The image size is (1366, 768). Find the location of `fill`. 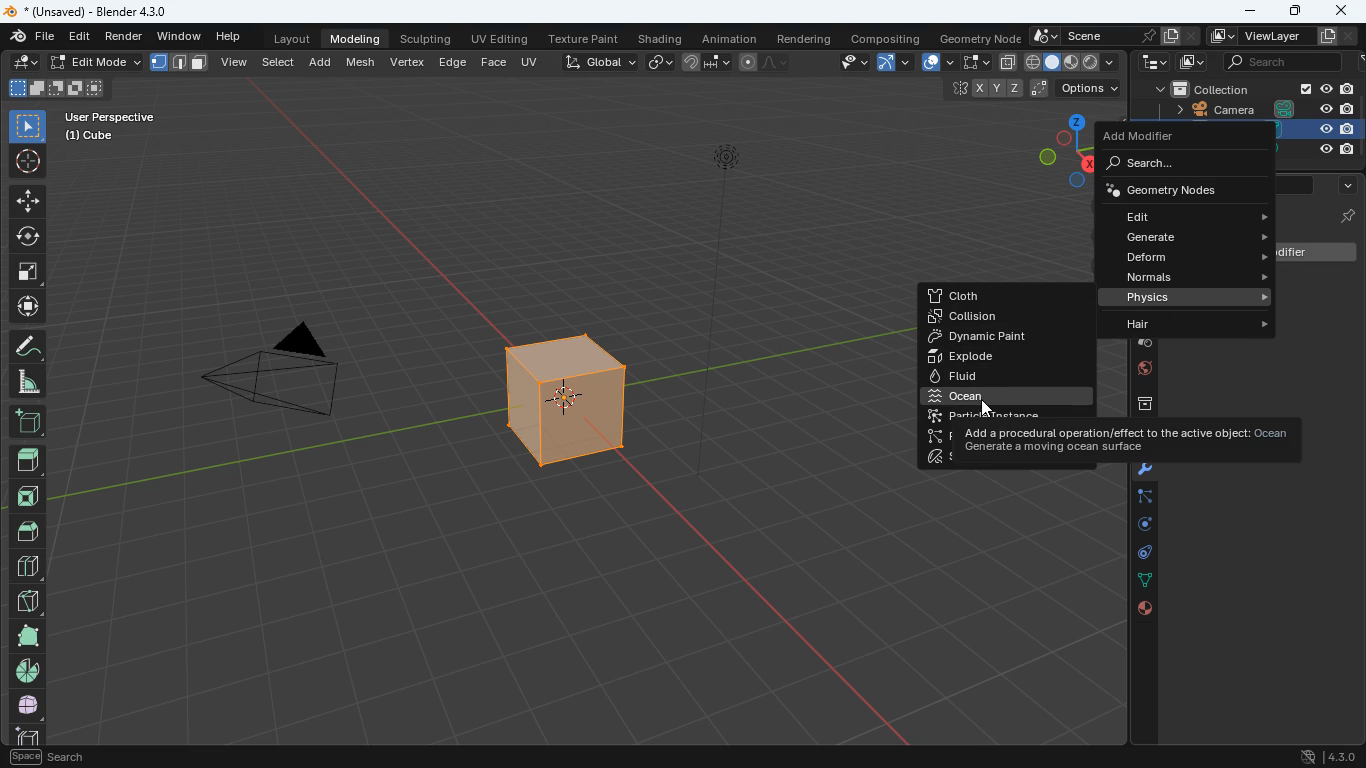

fill is located at coordinates (1072, 61).